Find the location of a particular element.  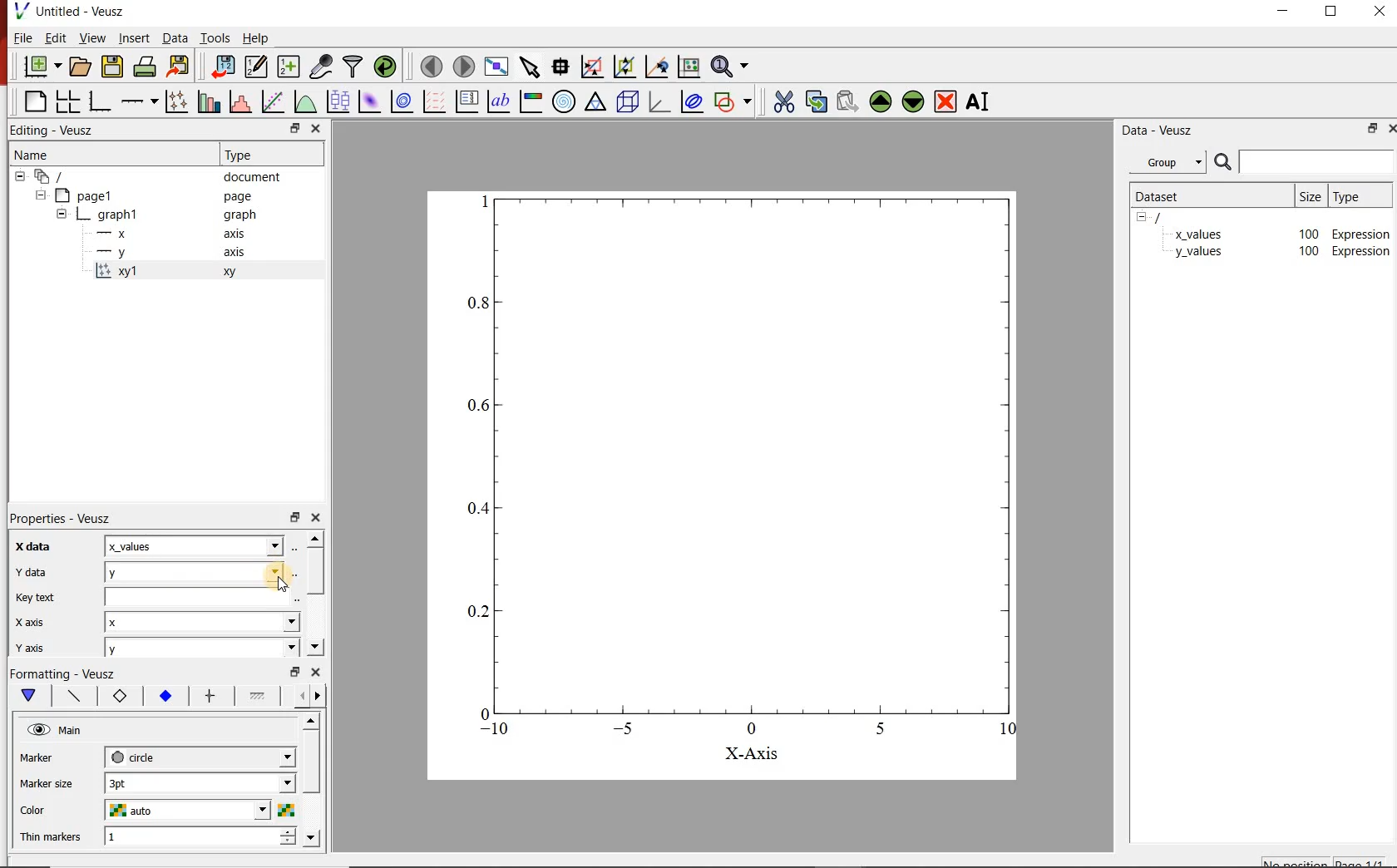

image color bar is located at coordinates (531, 102).